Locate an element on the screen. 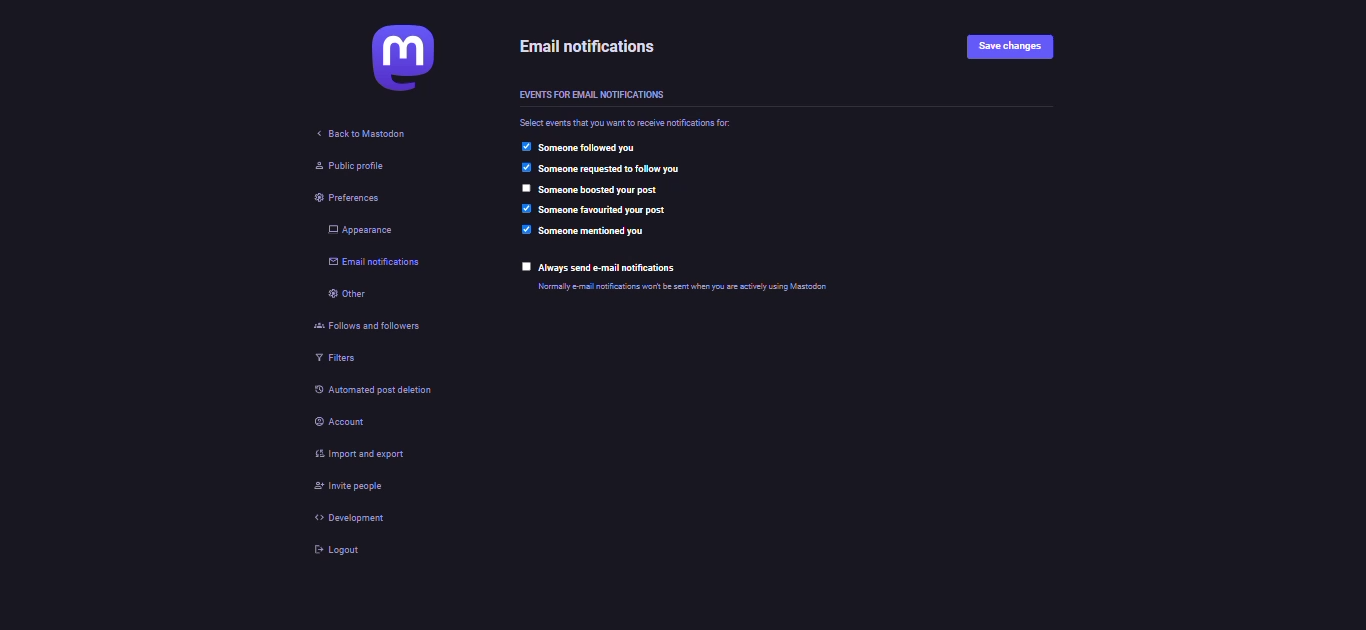 Image resolution: width=1366 pixels, height=630 pixels. someone followed you is located at coordinates (592, 147).